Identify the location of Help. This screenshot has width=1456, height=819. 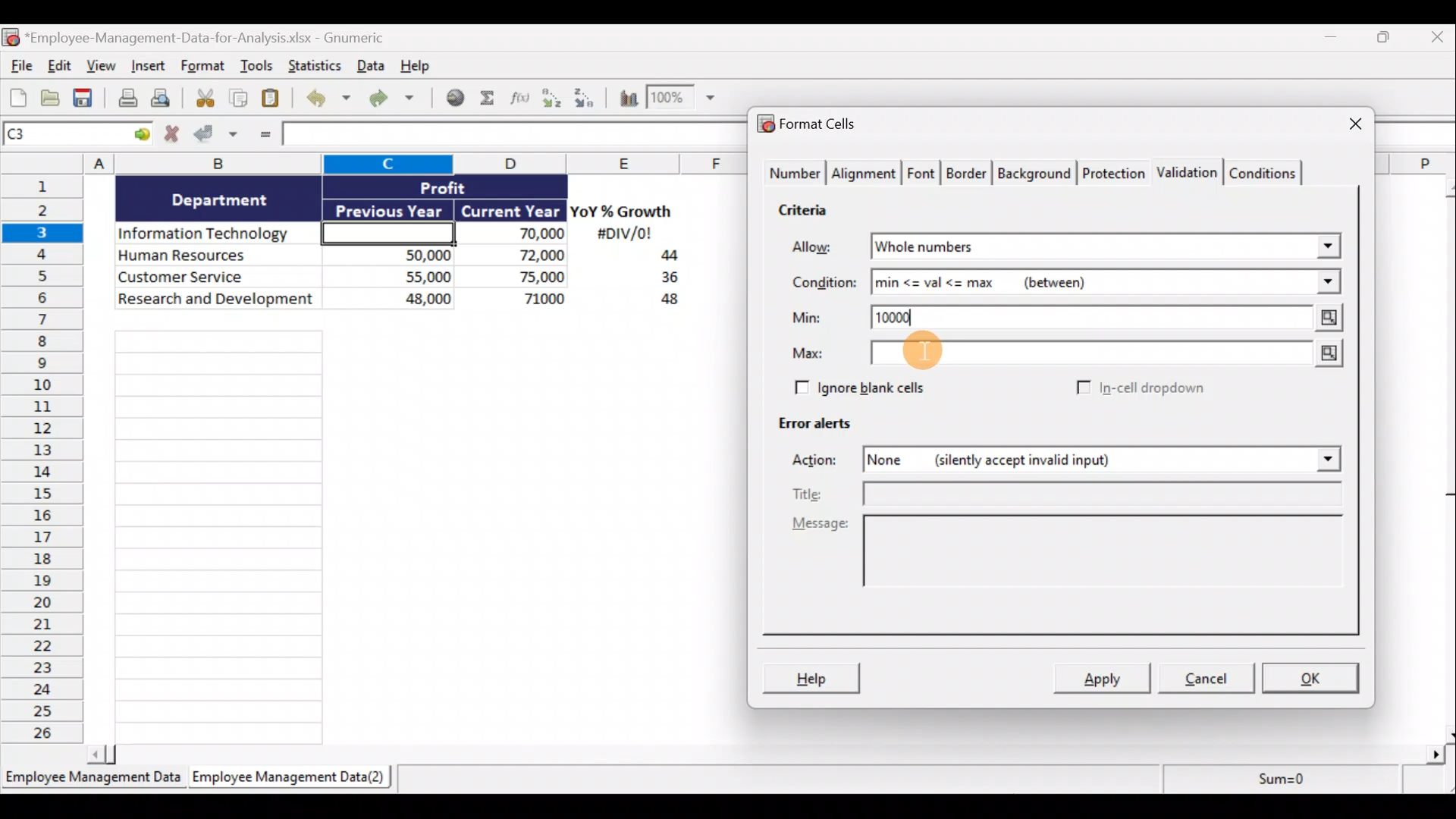
(420, 64).